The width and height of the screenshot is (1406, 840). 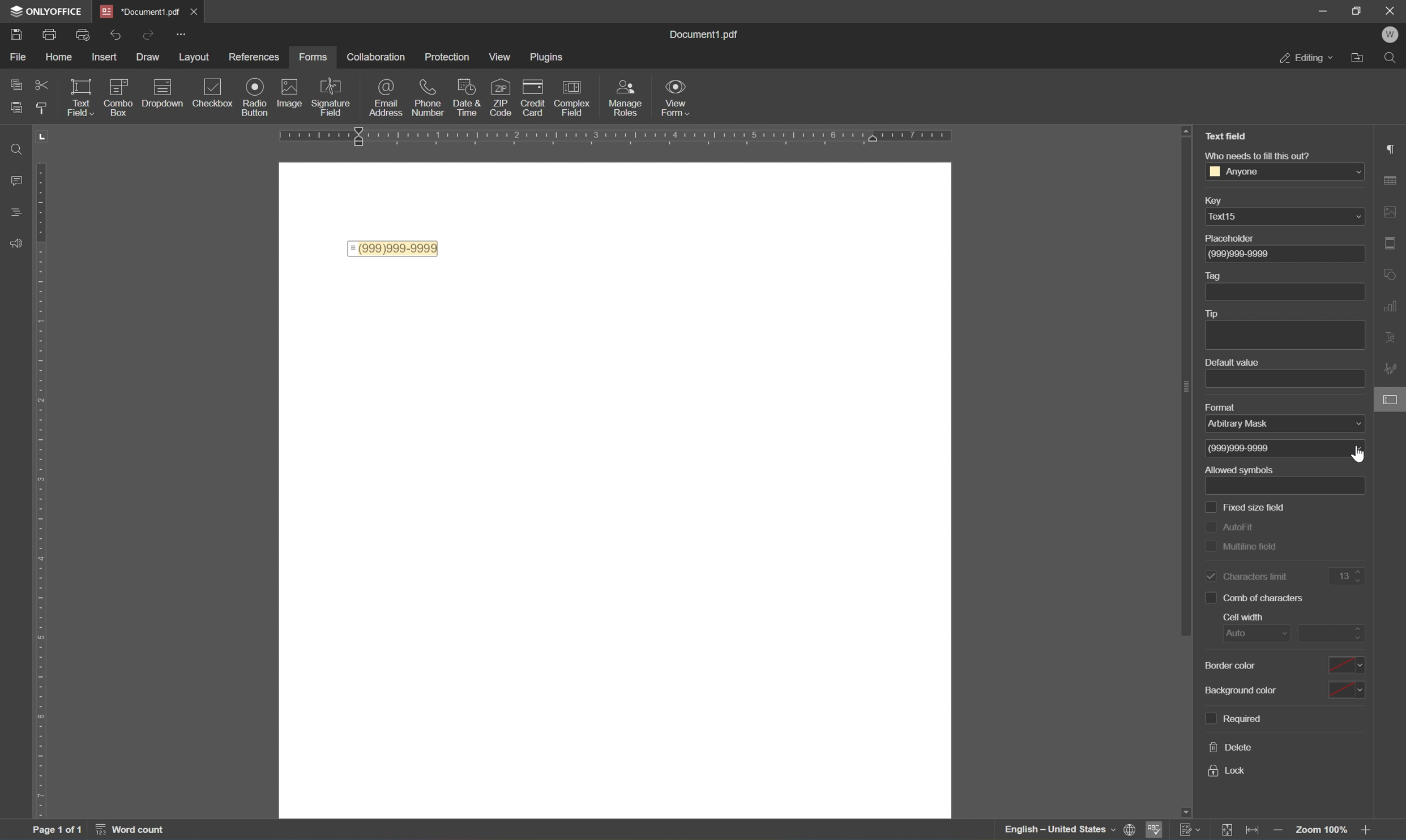 What do you see at coordinates (1245, 508) in the screenshot?
I see `fixed size field` at bounding box center [1245, 508].